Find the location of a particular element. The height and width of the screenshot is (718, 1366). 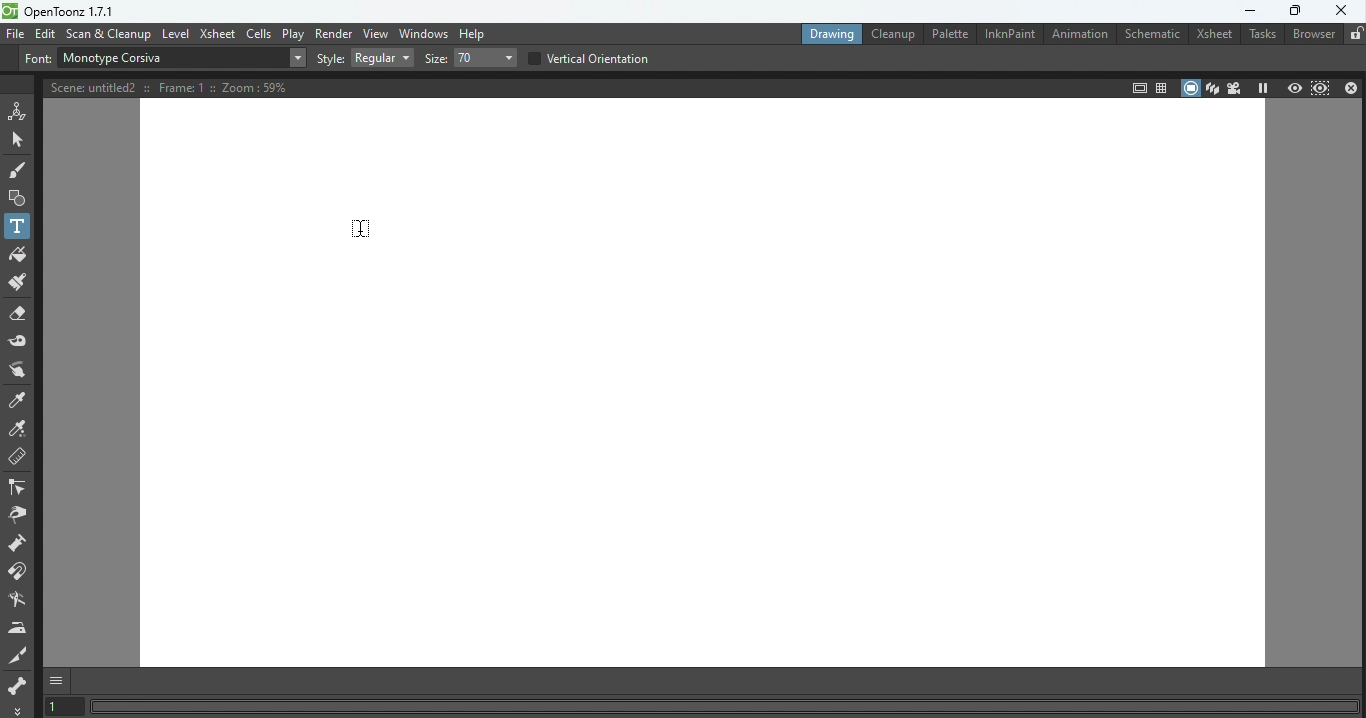

Eraser tool is located at coordinates (18, 312).